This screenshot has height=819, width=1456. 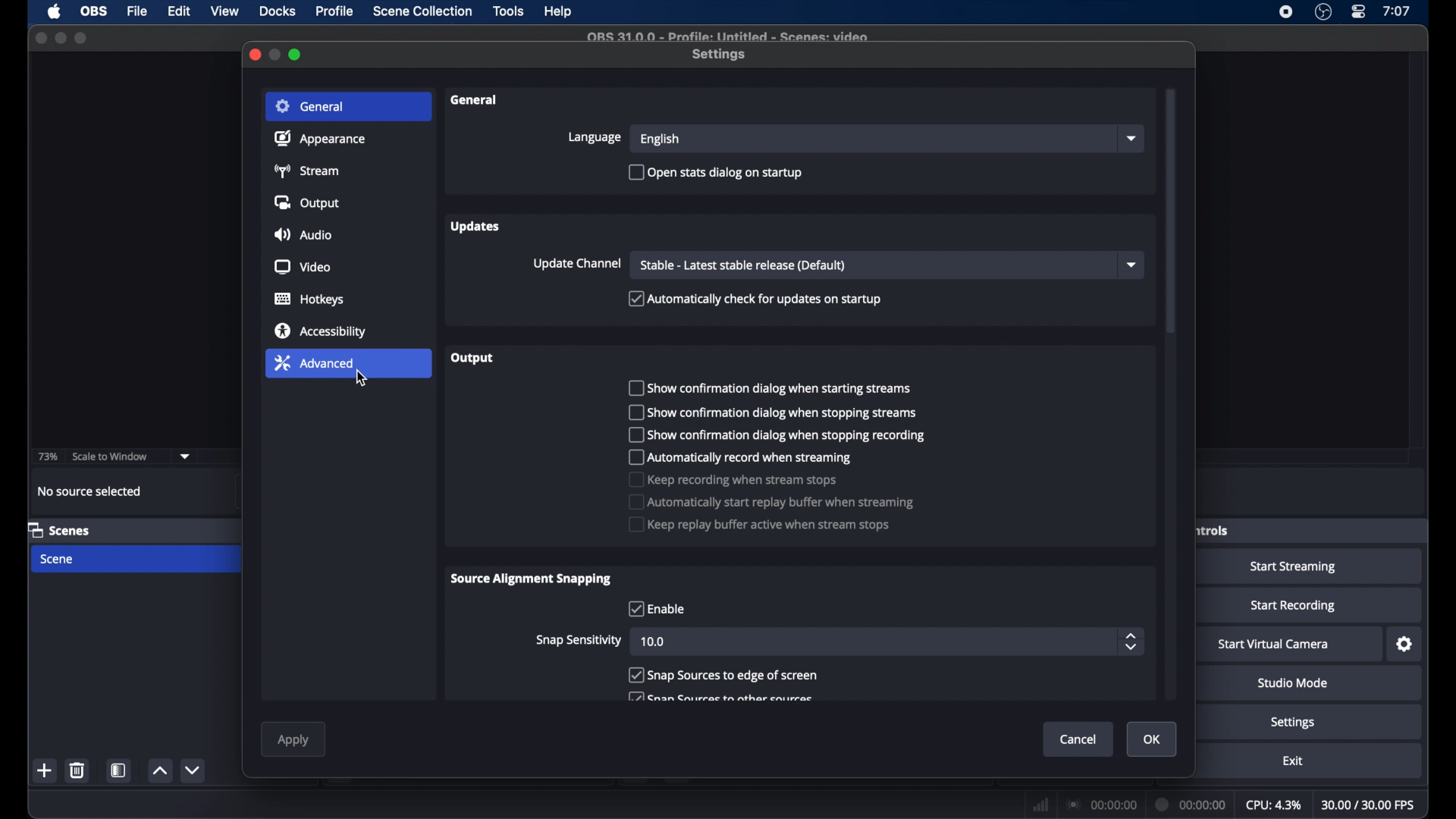 I want to click on scroll box, so click(x=1170, y=212).